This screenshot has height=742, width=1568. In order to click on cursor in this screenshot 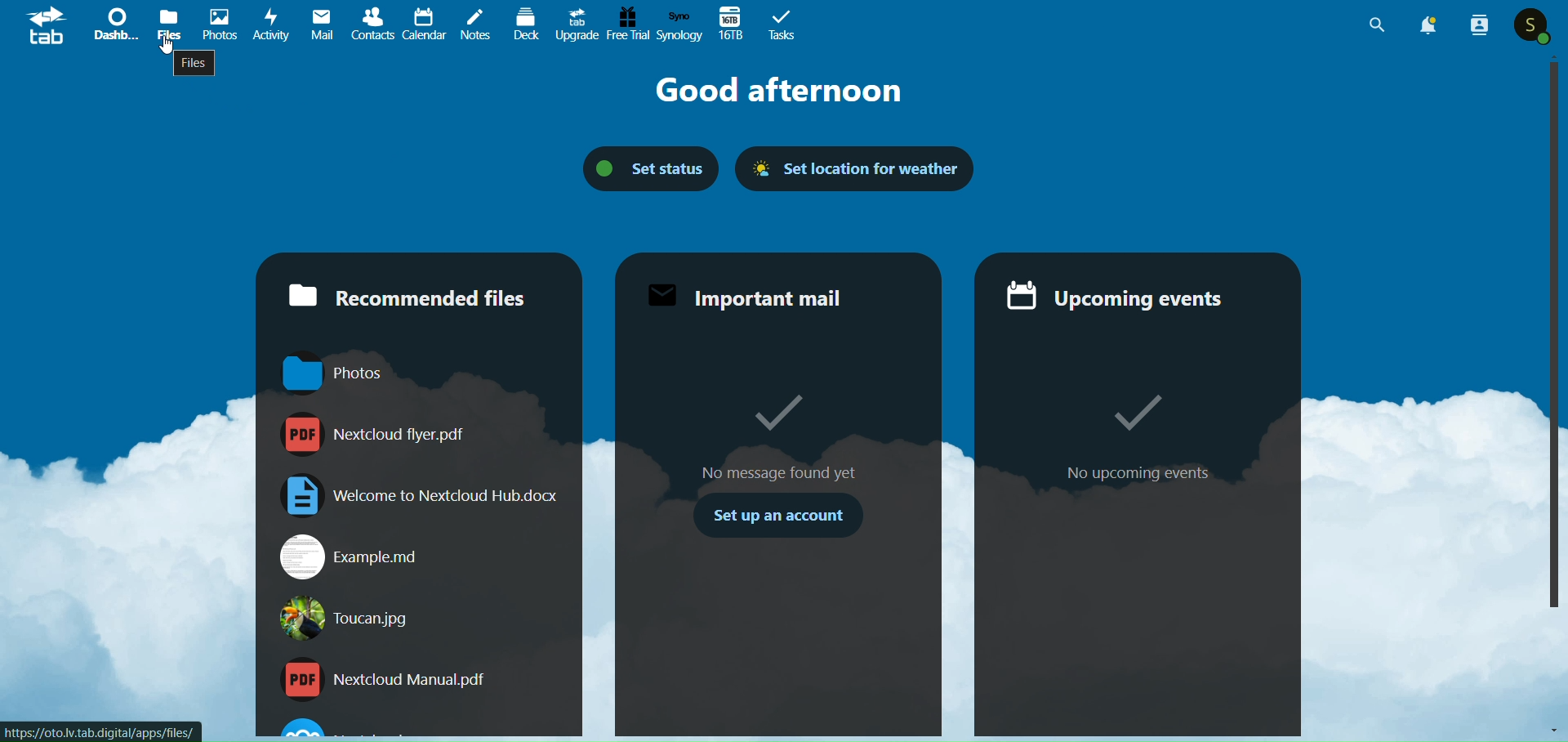, I will do `click(167, 46)`.